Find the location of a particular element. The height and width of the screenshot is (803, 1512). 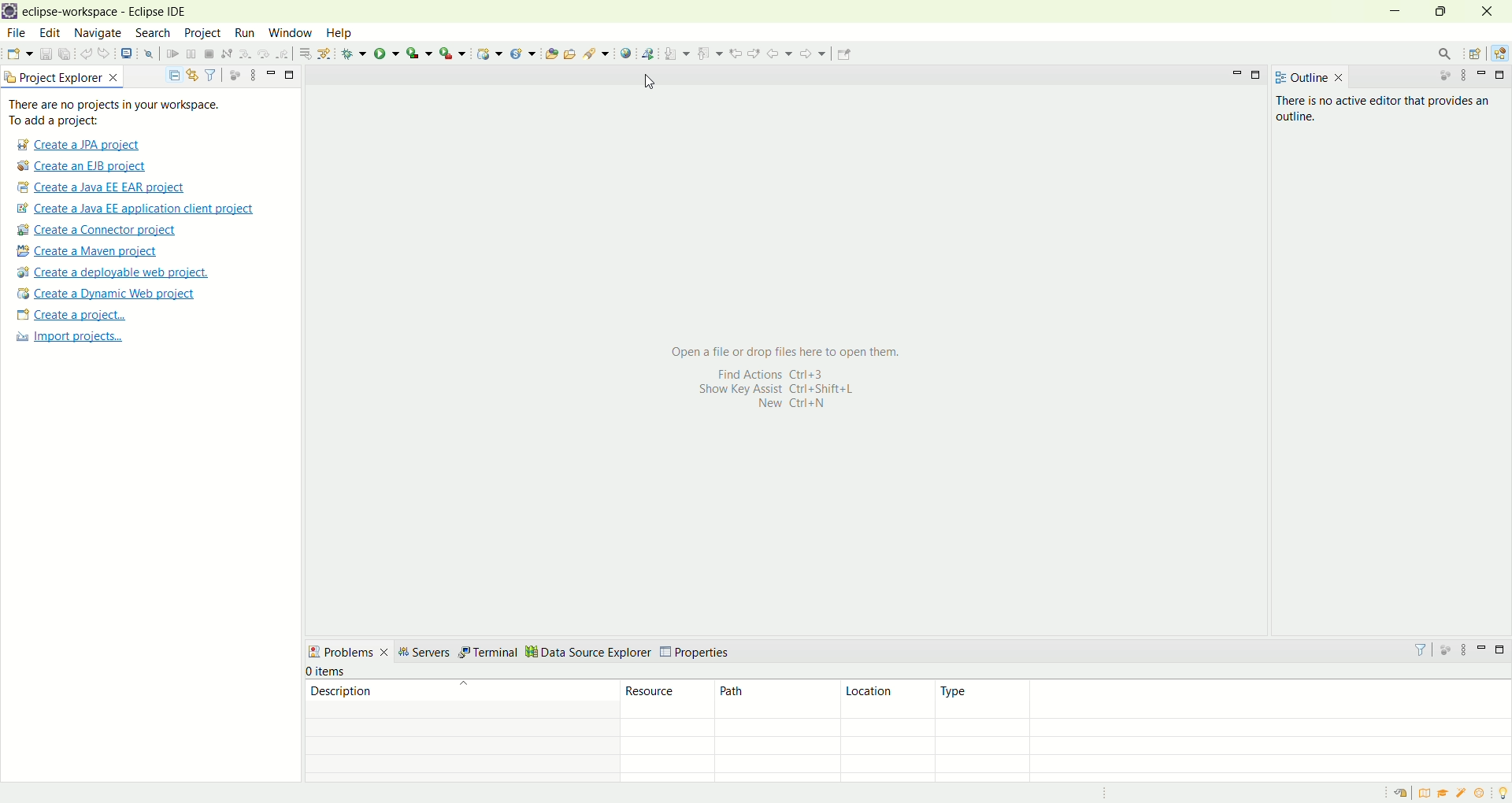

view menu is located at coordinates (1462, 76).